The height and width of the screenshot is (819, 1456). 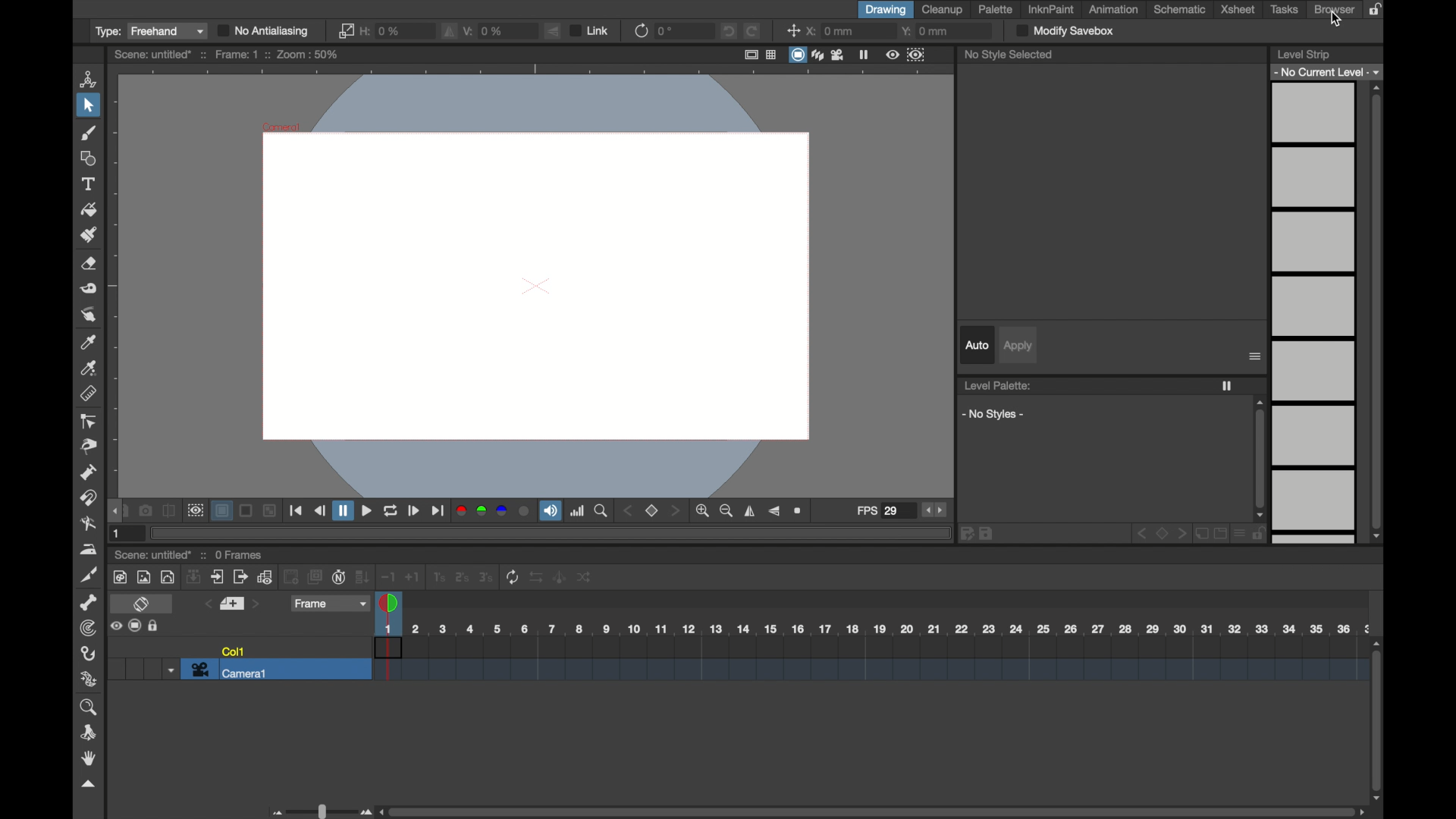 I want to click on ruler tool, so click(x=90, y=394).